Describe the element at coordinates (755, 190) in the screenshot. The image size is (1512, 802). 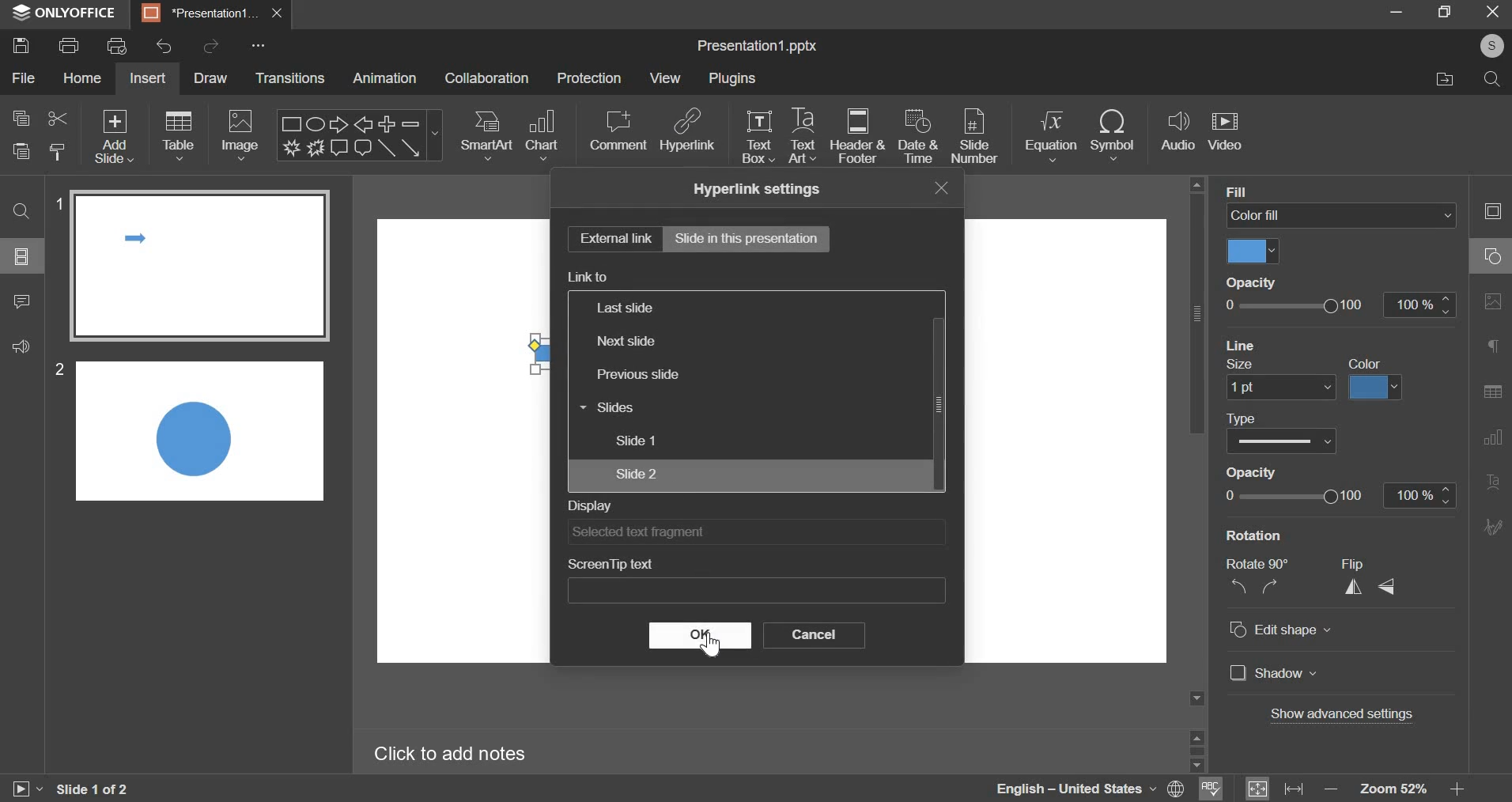
I see `hyperlink settings` at that location.